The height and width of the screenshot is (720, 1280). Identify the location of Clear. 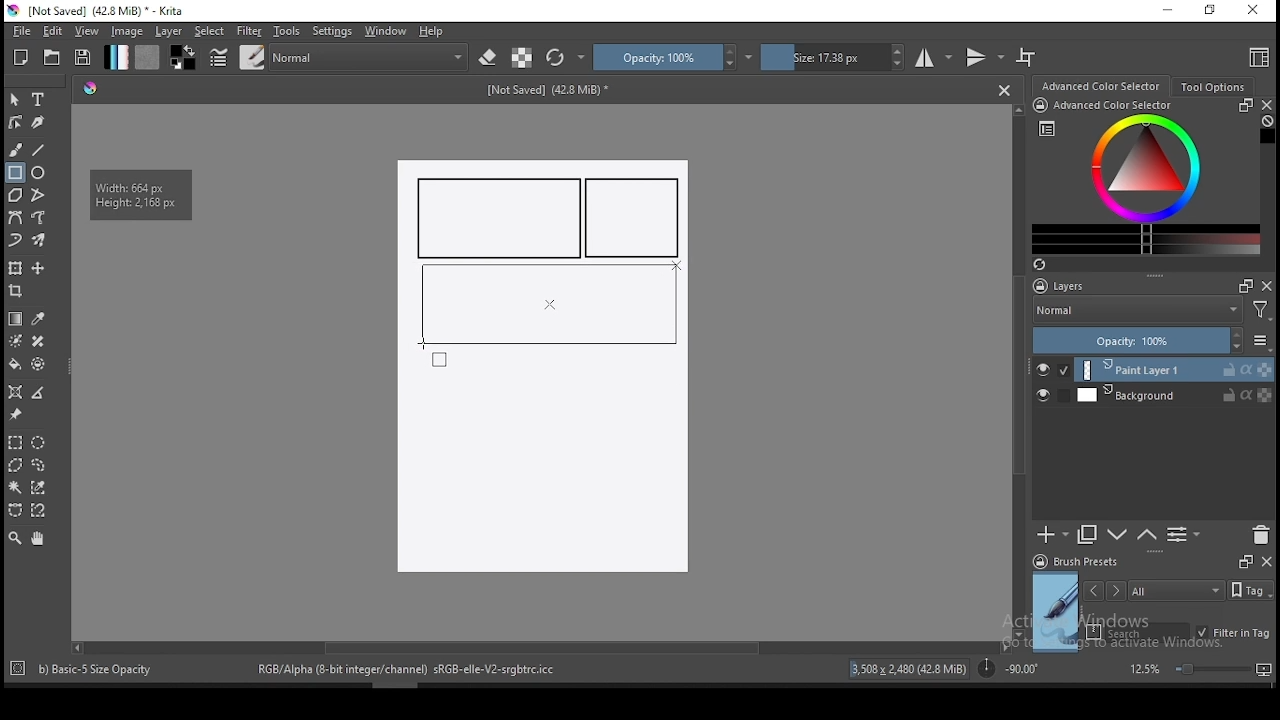
(1267, 123).